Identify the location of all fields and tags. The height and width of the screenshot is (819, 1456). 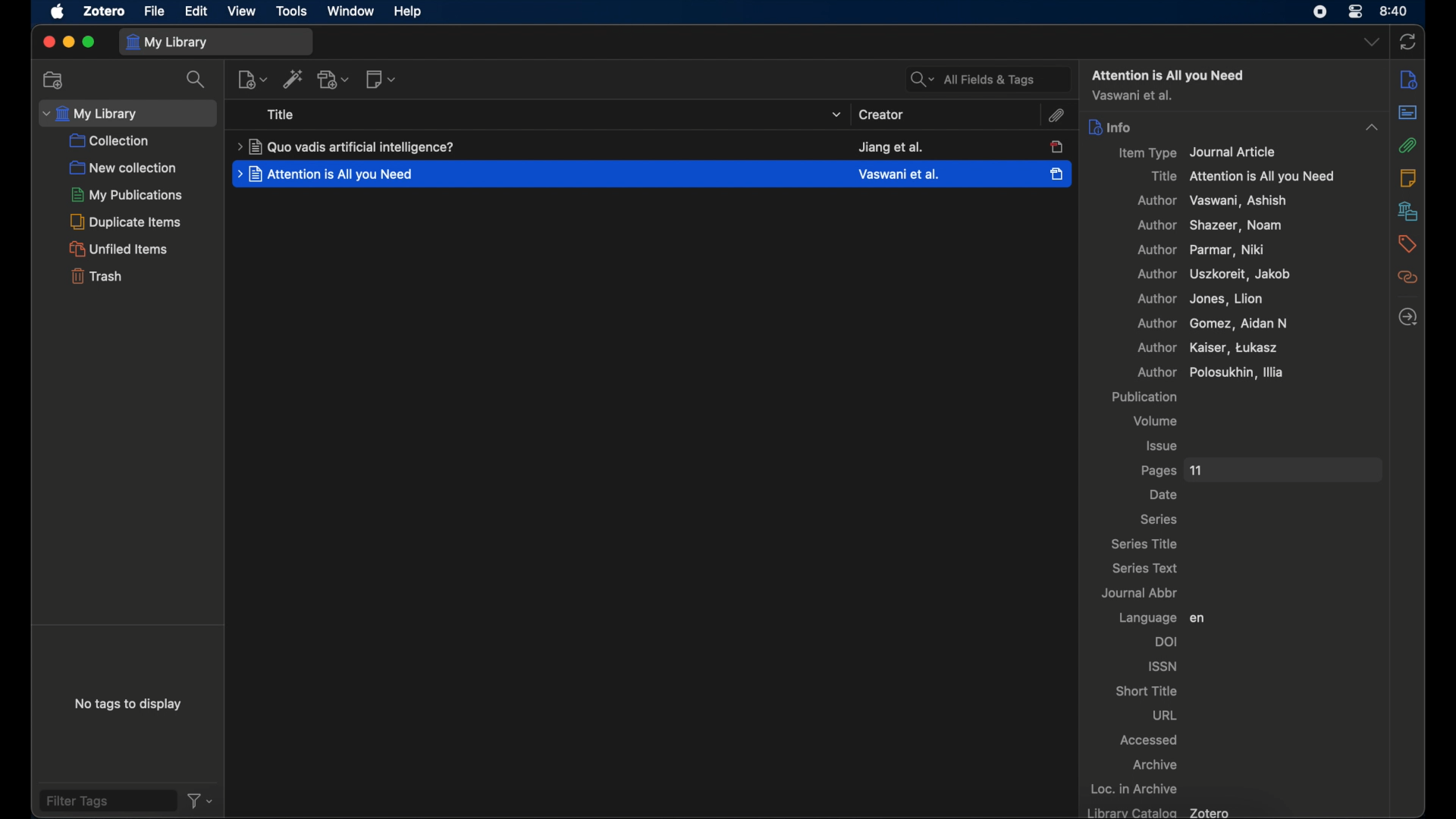
(982, 77).